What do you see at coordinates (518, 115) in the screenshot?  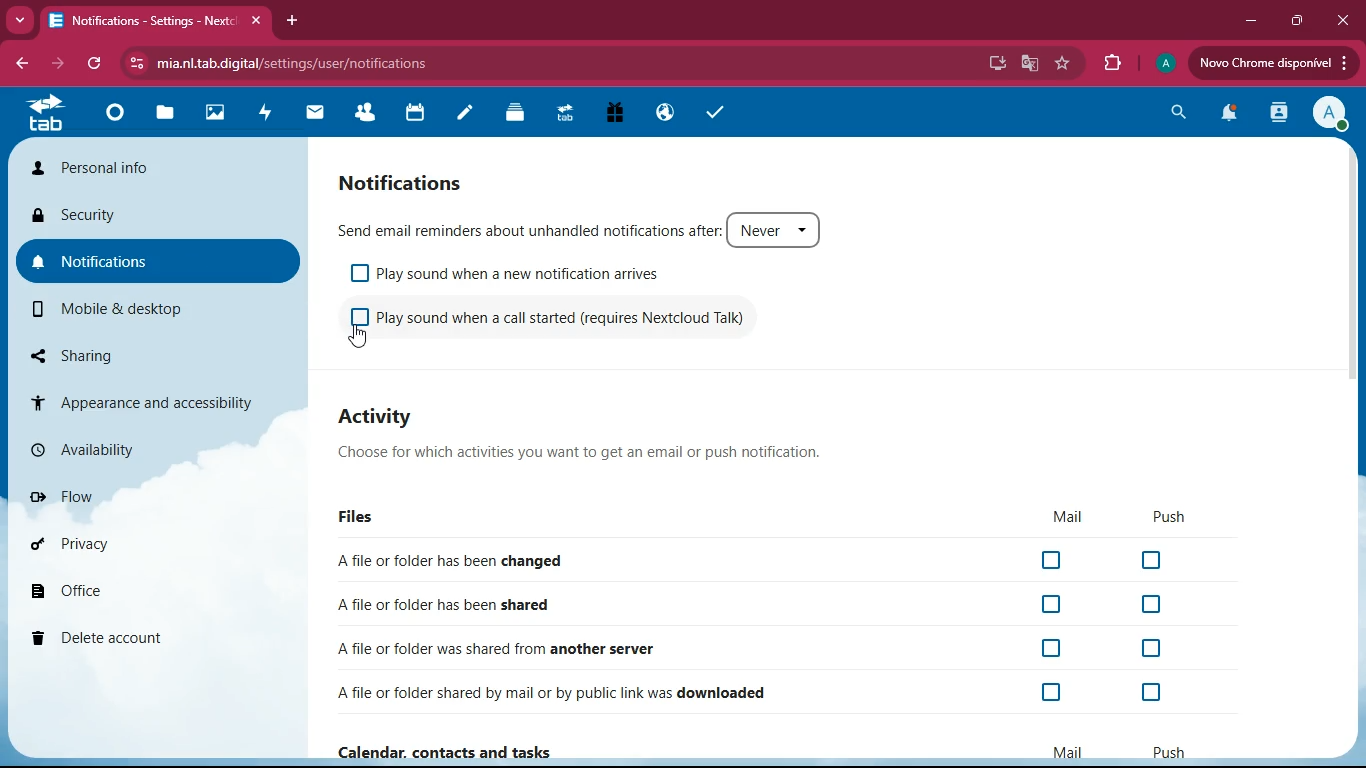 I see `layers` at bounding box center [518, 115].